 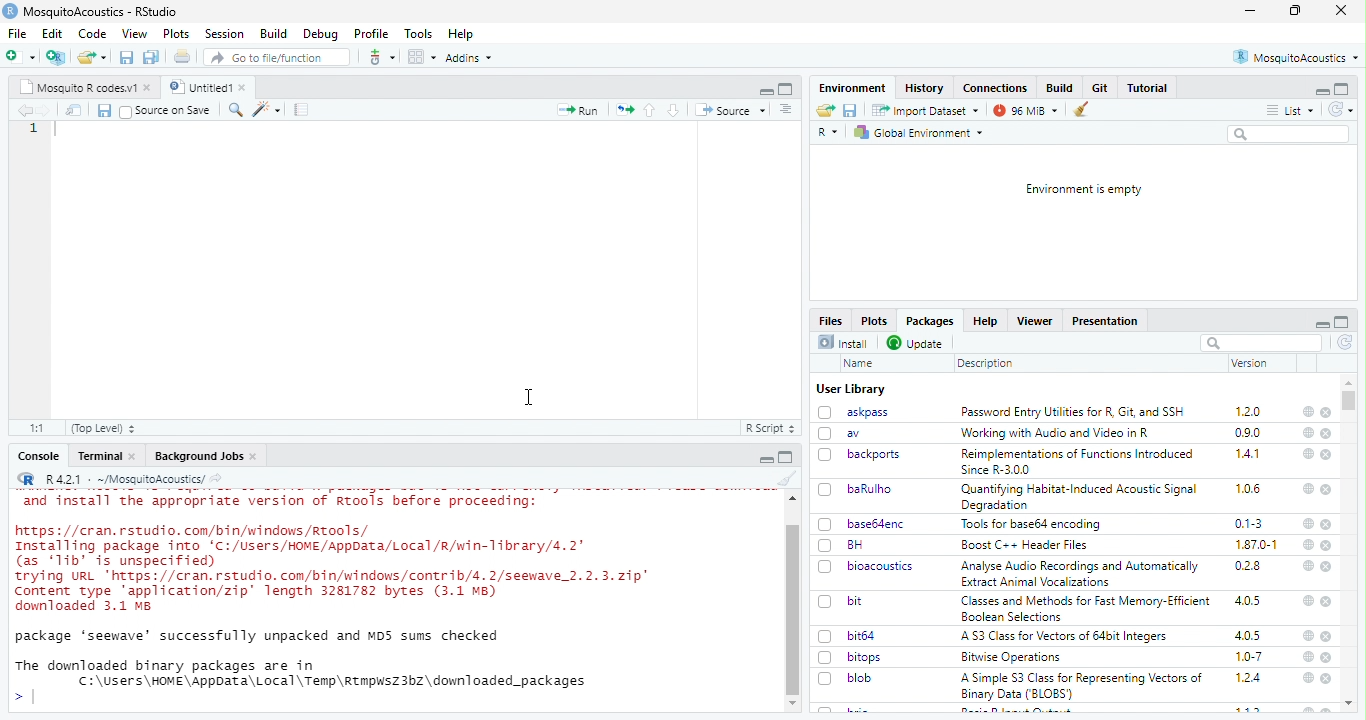 I want to click on close, so click(x=1342, y=10).